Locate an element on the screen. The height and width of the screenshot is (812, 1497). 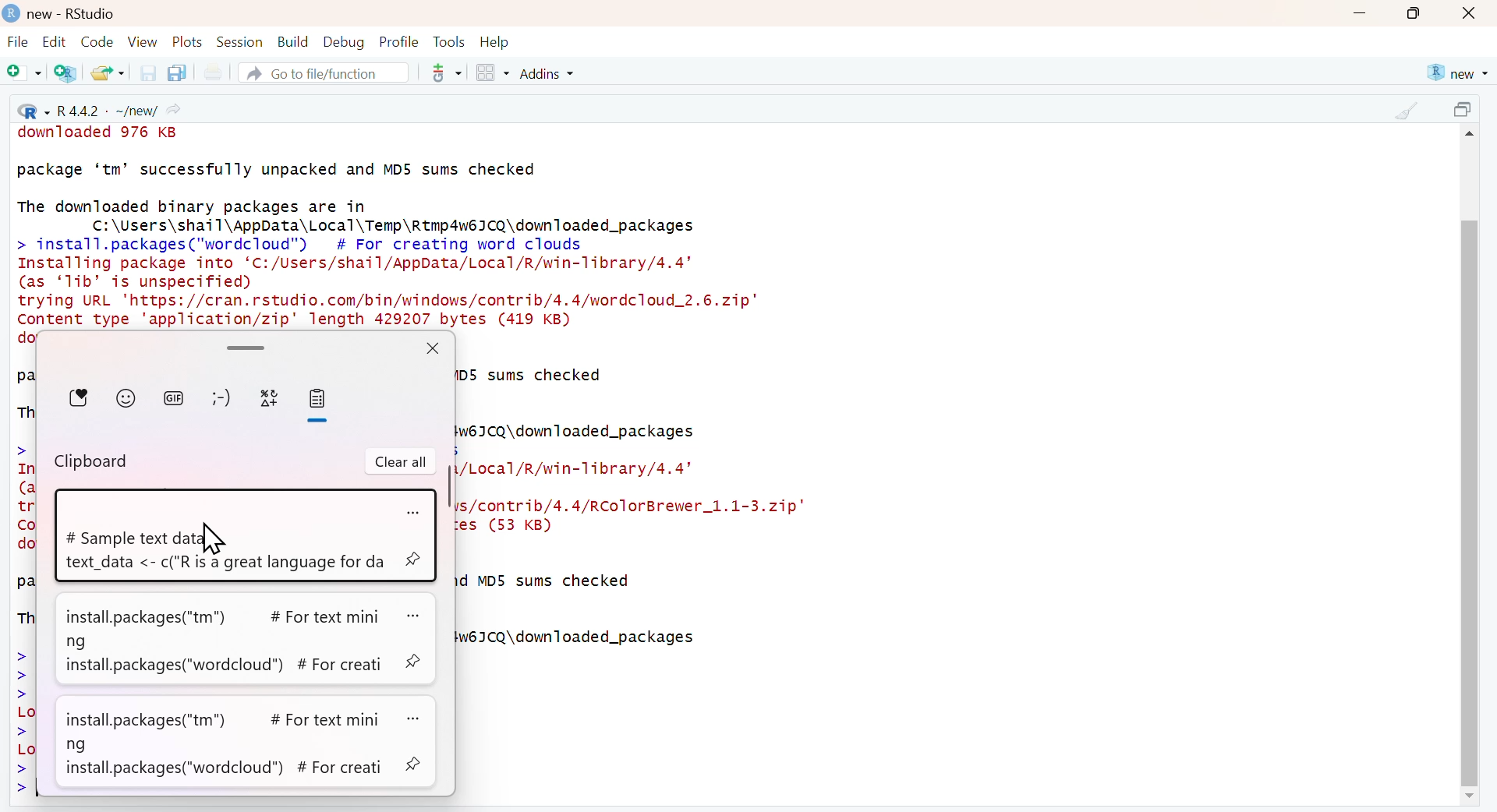
Emoticon is located at coordinates (221, 399).